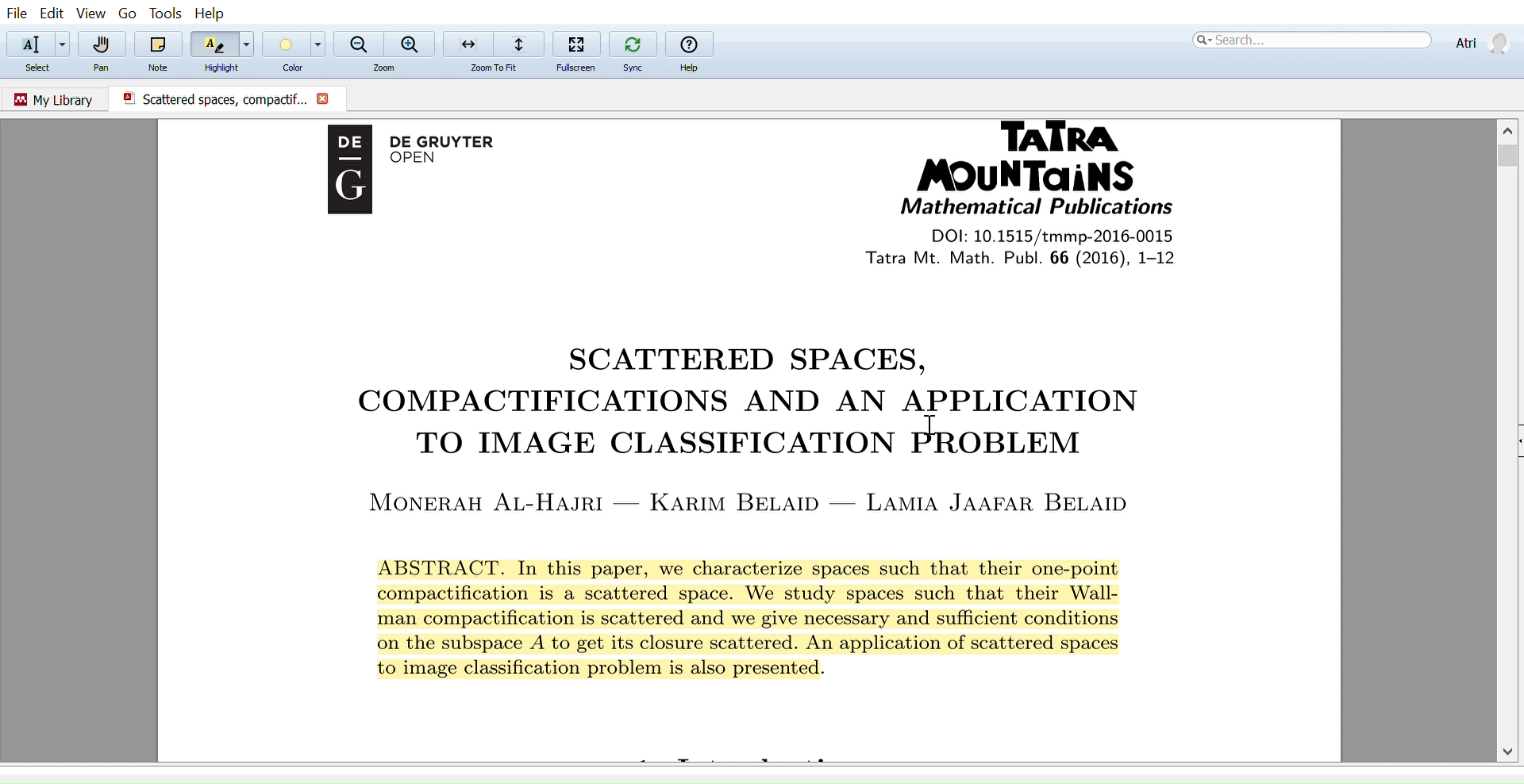 This screenshot has width=1524, height=784. I want to click on Highlight, so click(222, 67).